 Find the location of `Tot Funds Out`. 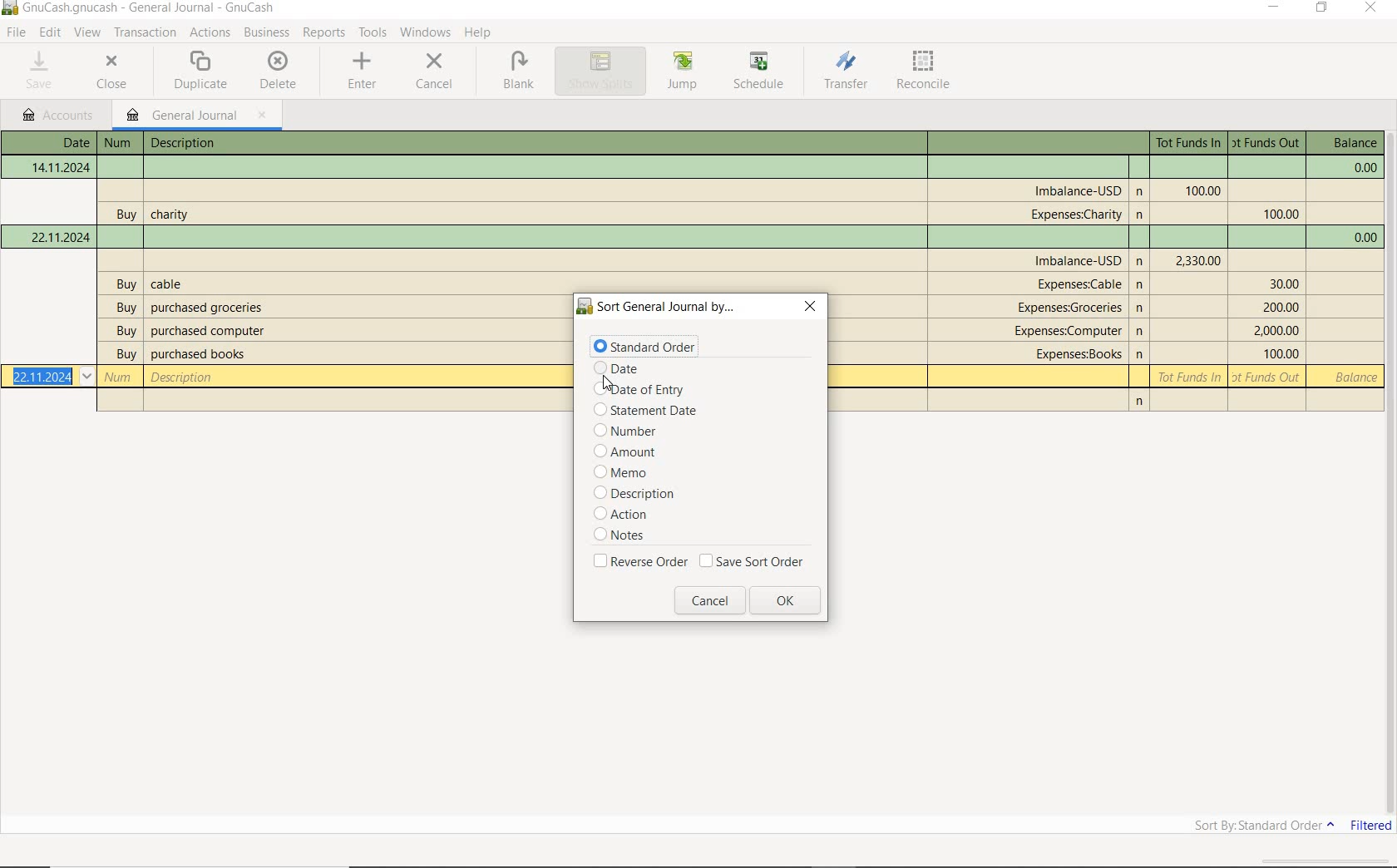

Tot Funds Out is located at coordinates (1281, 215).